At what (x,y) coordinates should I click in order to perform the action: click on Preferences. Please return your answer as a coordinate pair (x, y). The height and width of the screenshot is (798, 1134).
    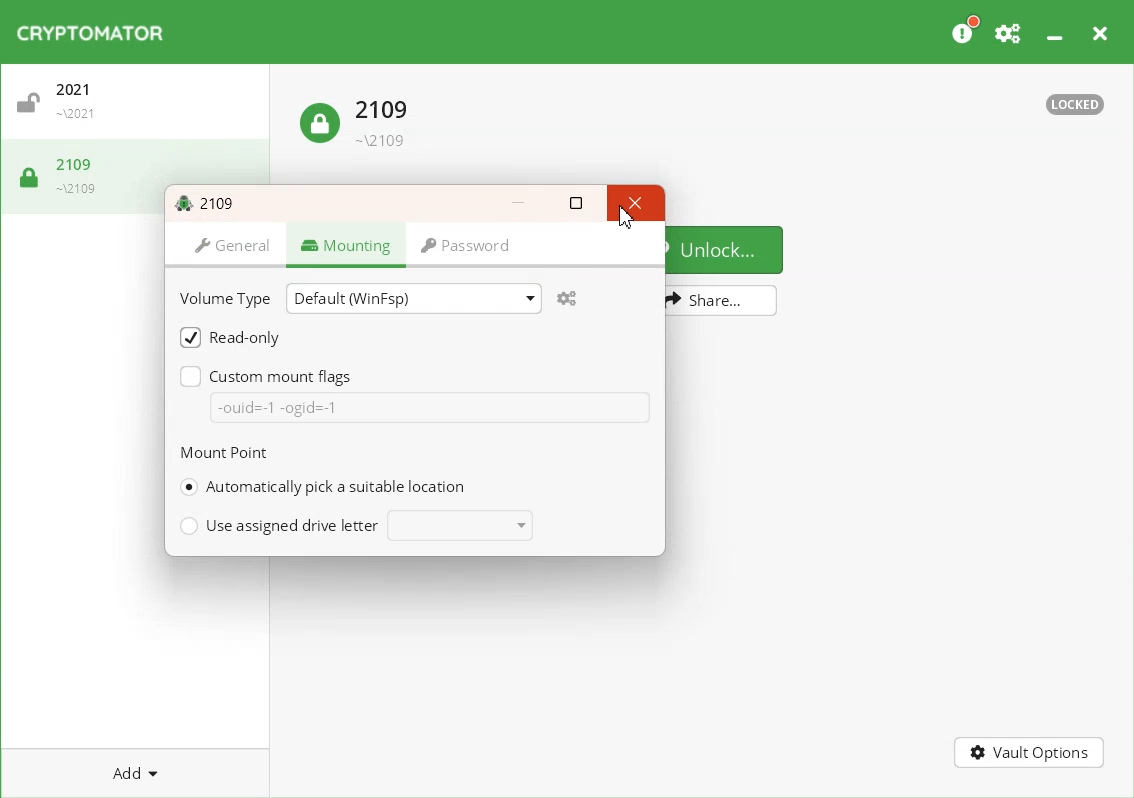
    Looking at the image, I should click on (1009, 32).